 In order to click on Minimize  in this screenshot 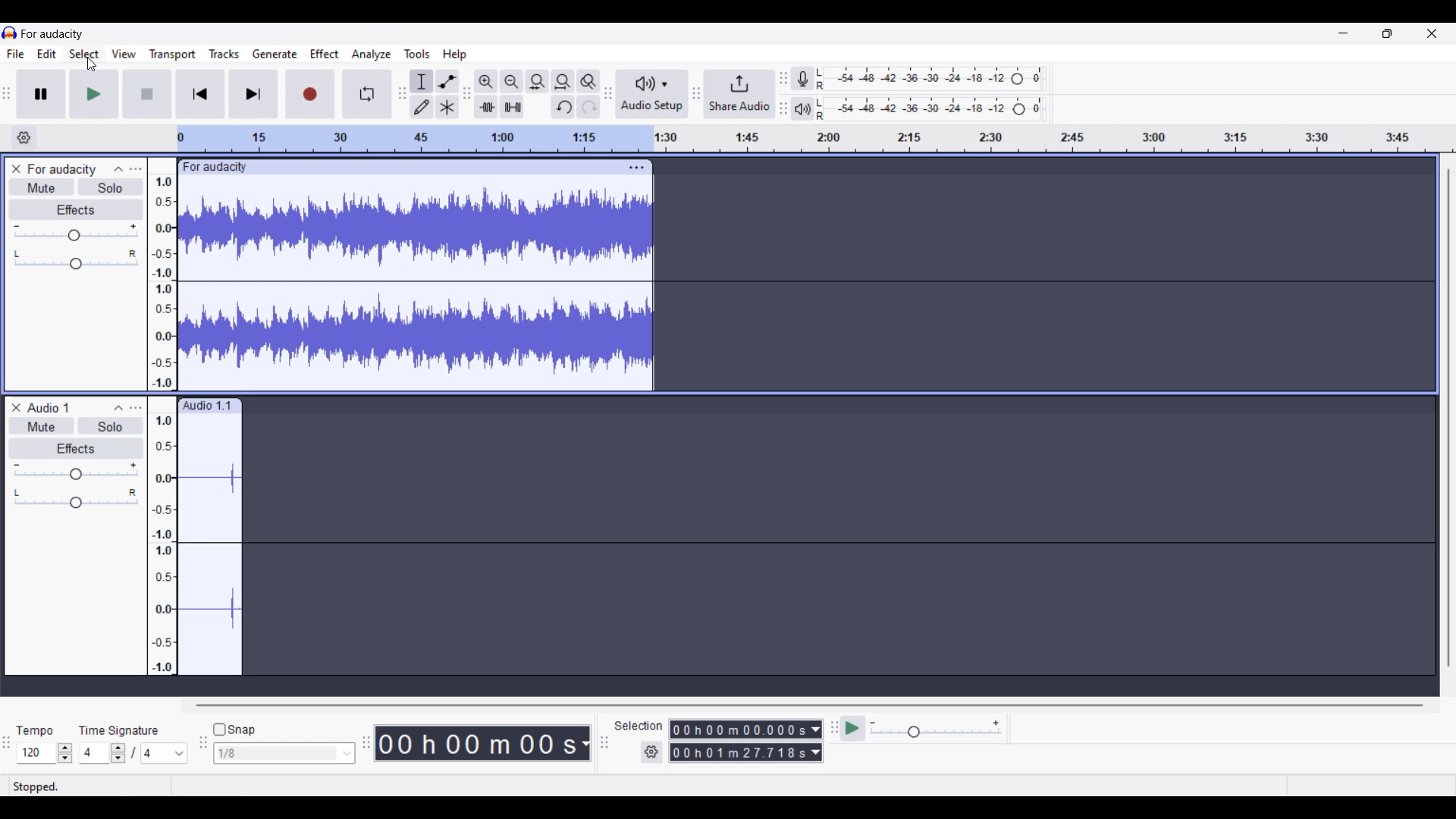, I will do `click(1344, 33)`.